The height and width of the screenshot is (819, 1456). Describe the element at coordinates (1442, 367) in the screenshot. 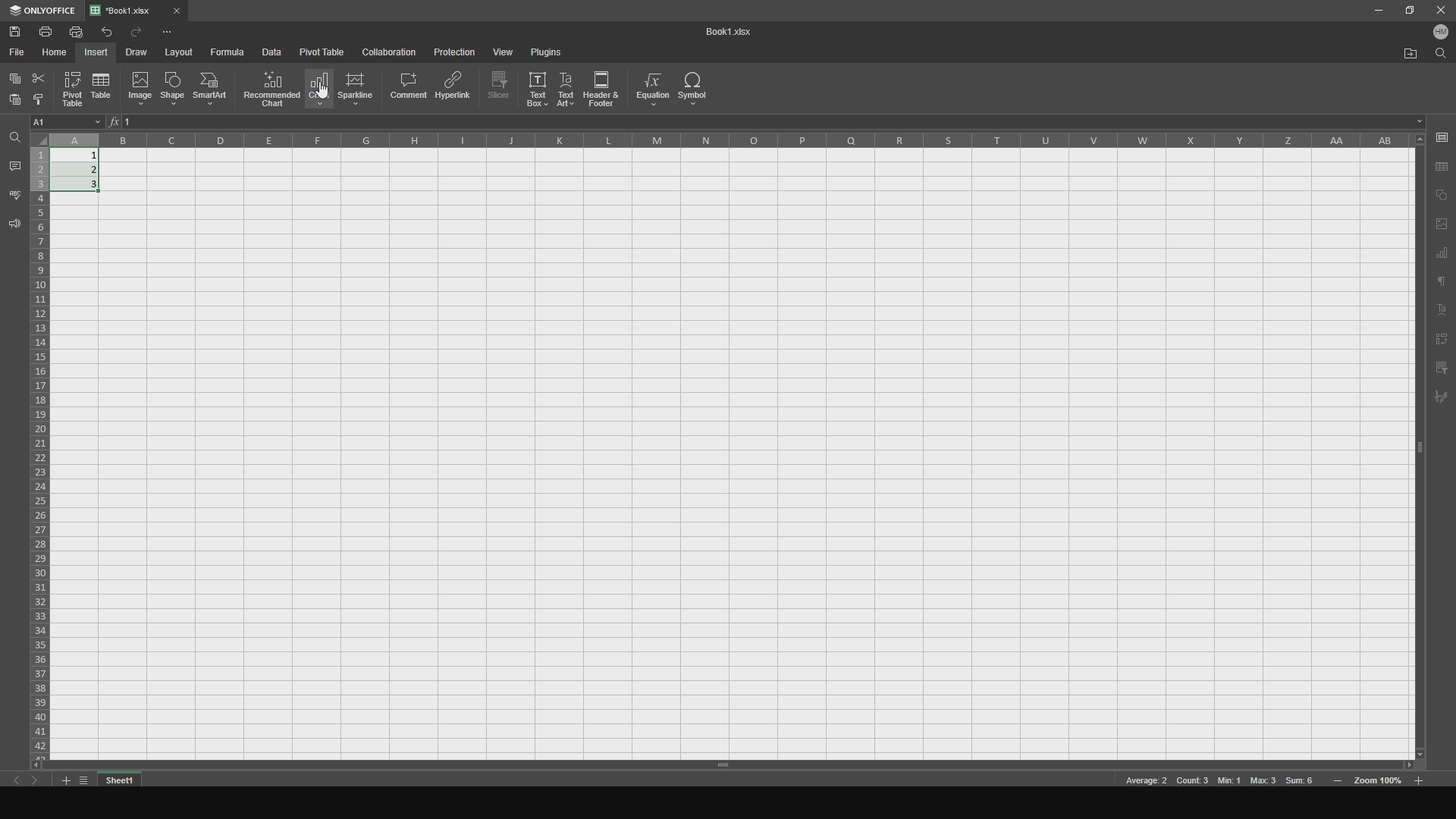

I see `filter` at that location.